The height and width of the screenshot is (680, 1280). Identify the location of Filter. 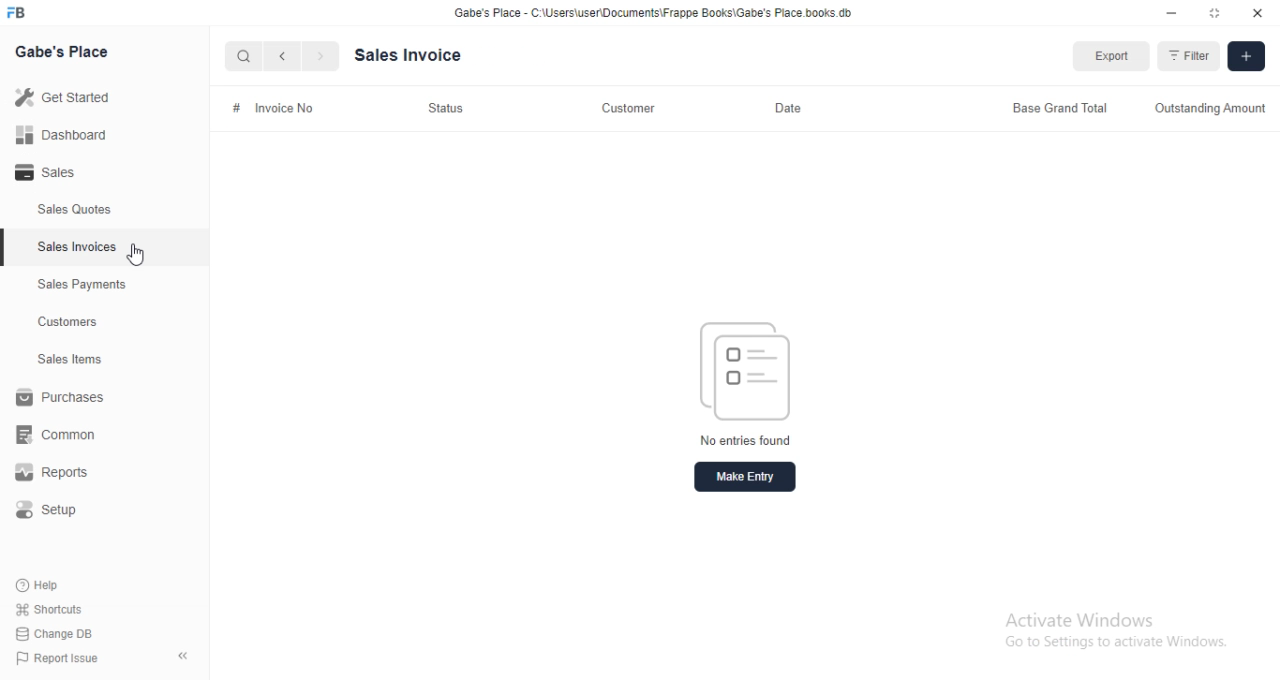
(1193, 55).